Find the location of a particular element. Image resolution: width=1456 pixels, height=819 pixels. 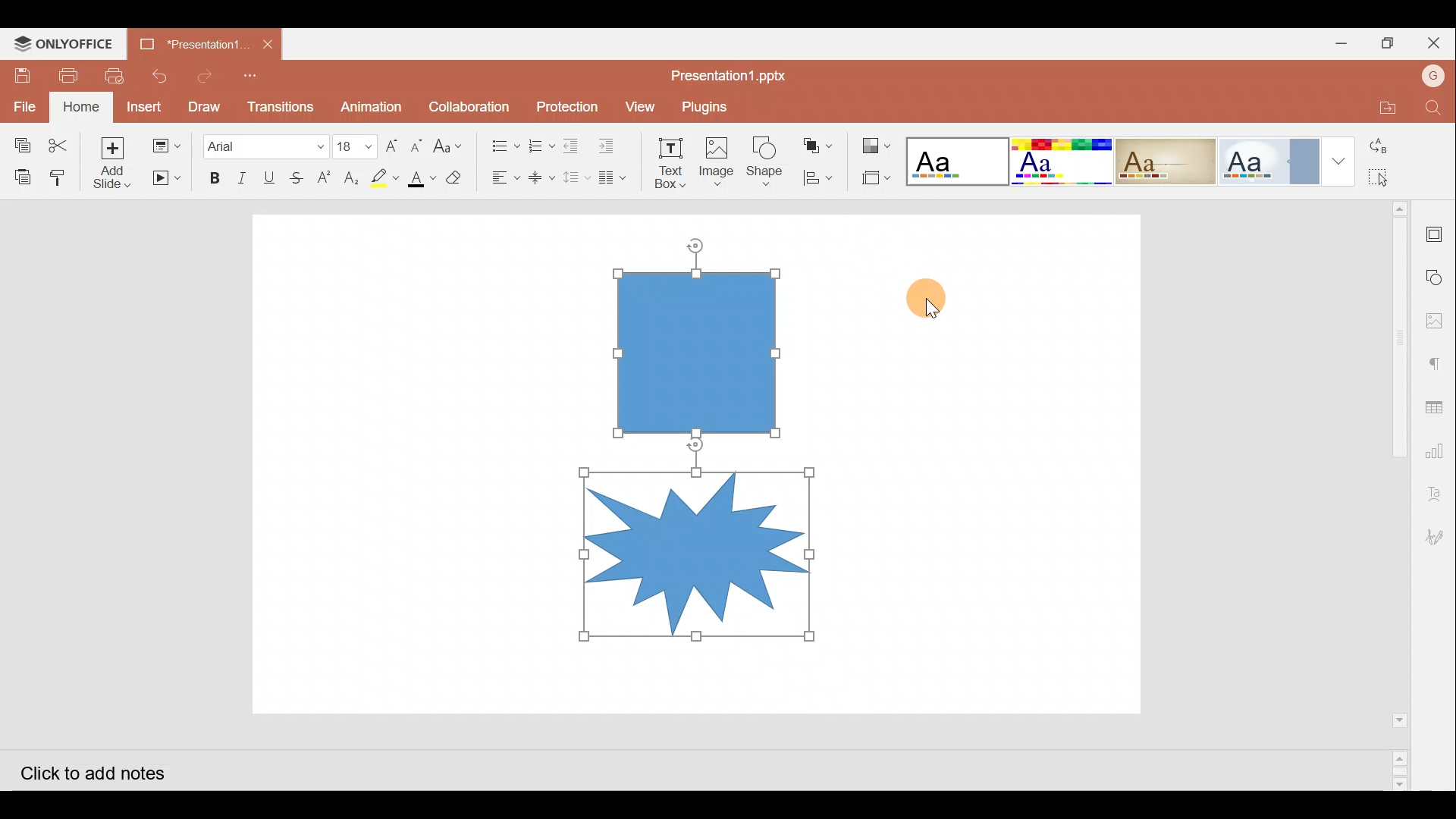

Increase indent is located at coordinates (611, 142).